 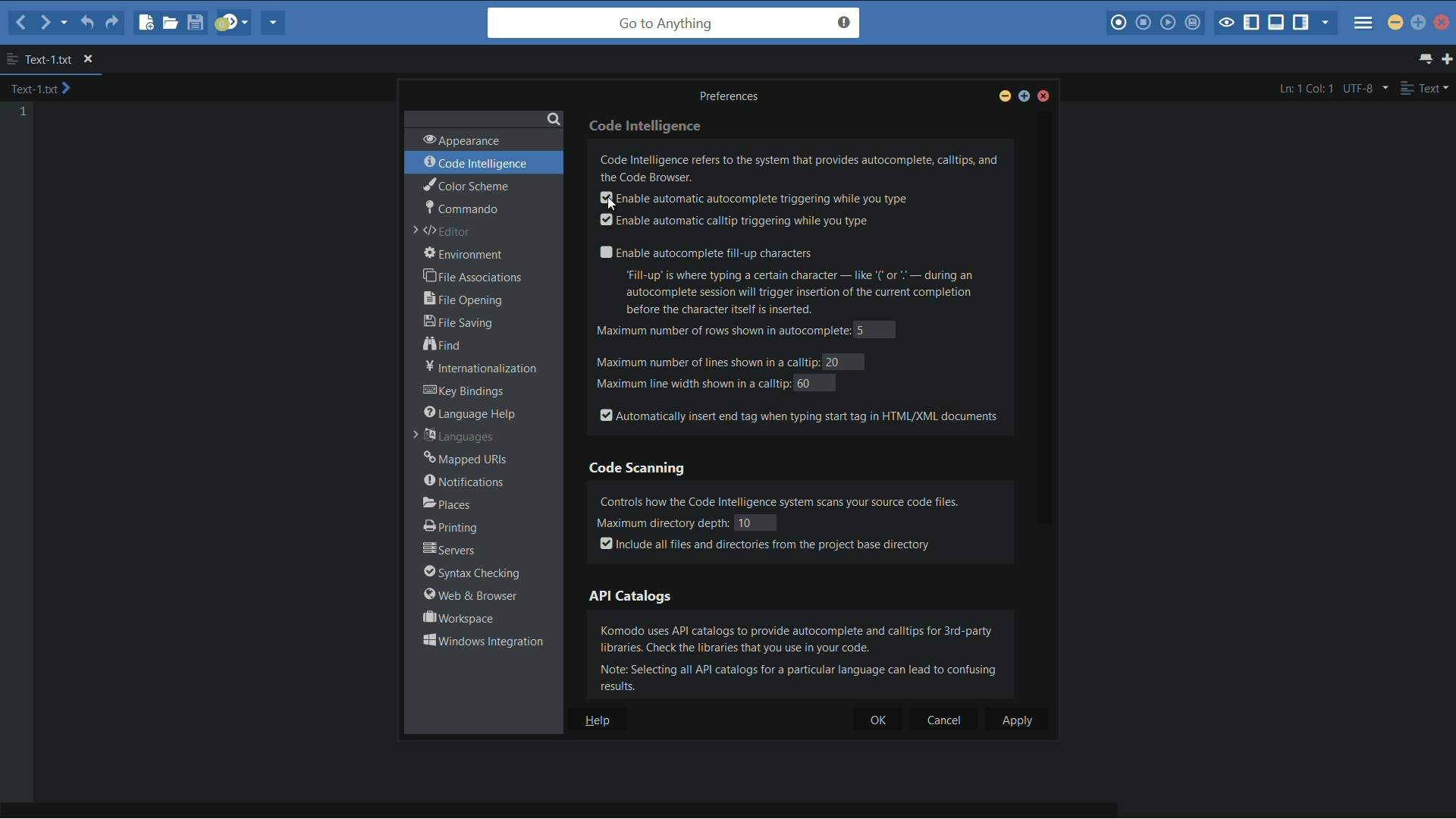 What do you see at coordinates (450, 551) in the screenshot?
I see `servers` at bounding box center [450, 551].